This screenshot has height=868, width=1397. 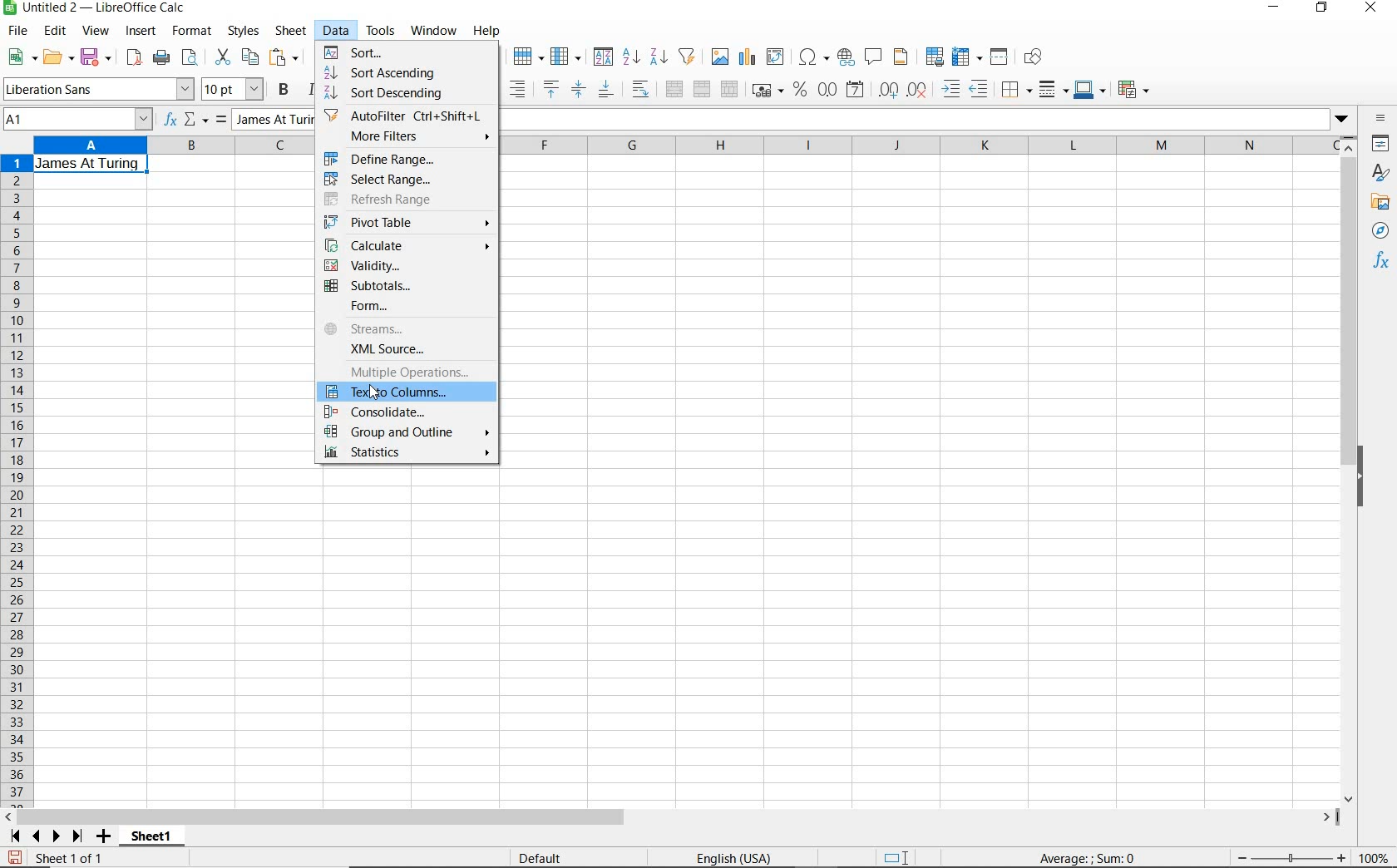 I want to click on formula, so click(x=220, y=121).